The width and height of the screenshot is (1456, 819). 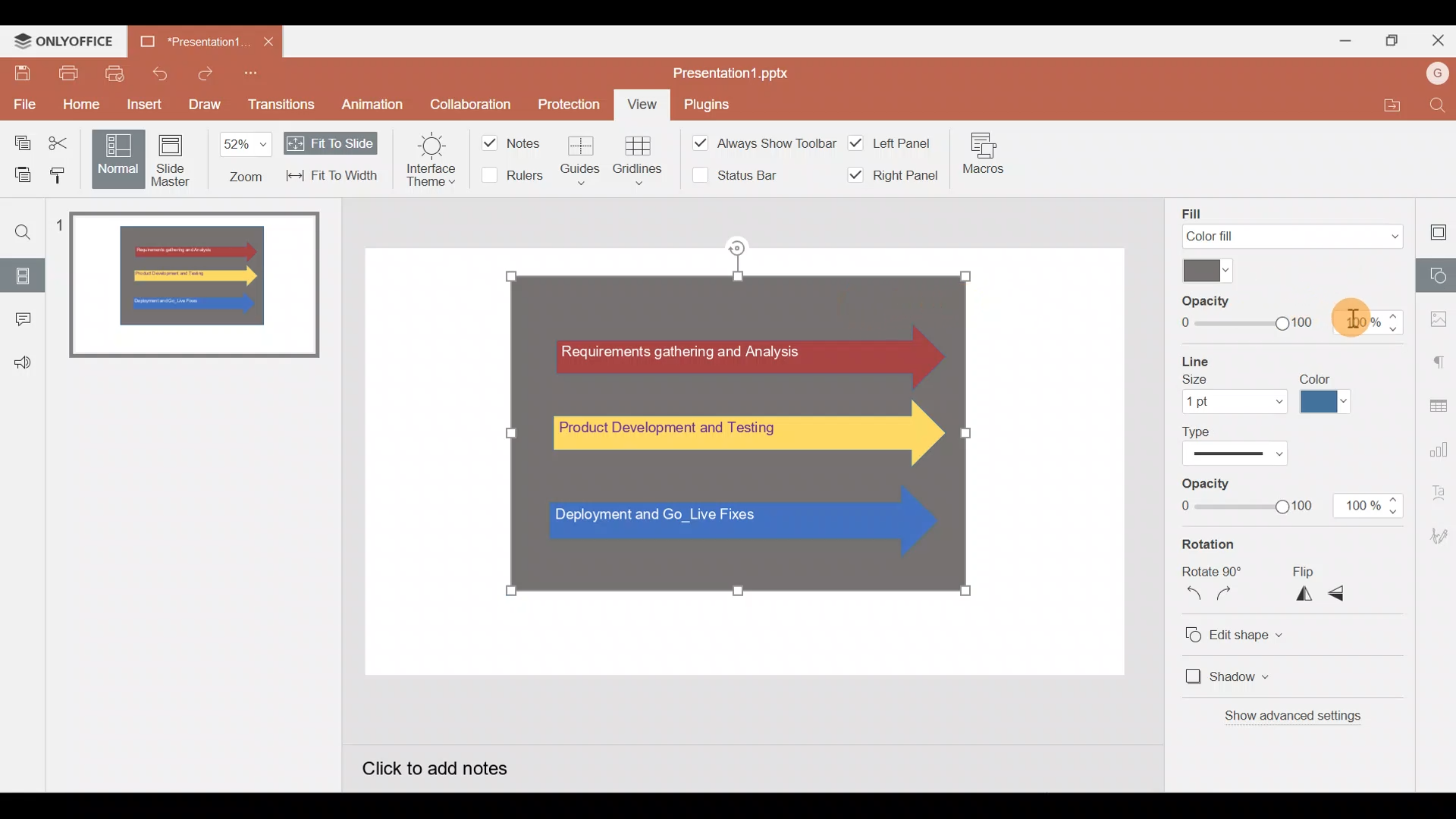 What do you see at coordinates (1437, 495) in the screenshot?
I see `Text Art settings` at bounding box center [1437, 495].